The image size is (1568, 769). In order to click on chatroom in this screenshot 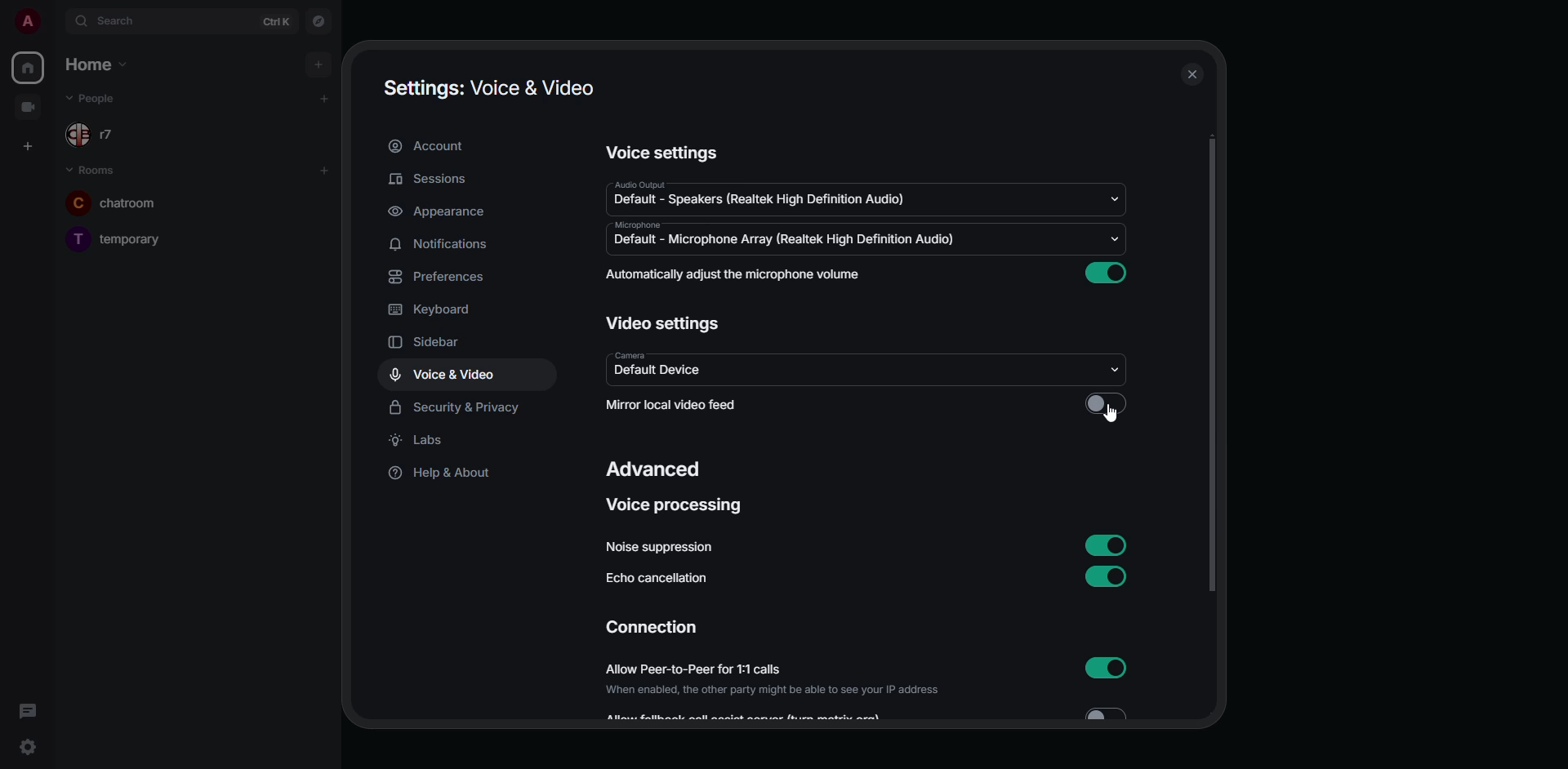, I will do `click(131, 202)`.